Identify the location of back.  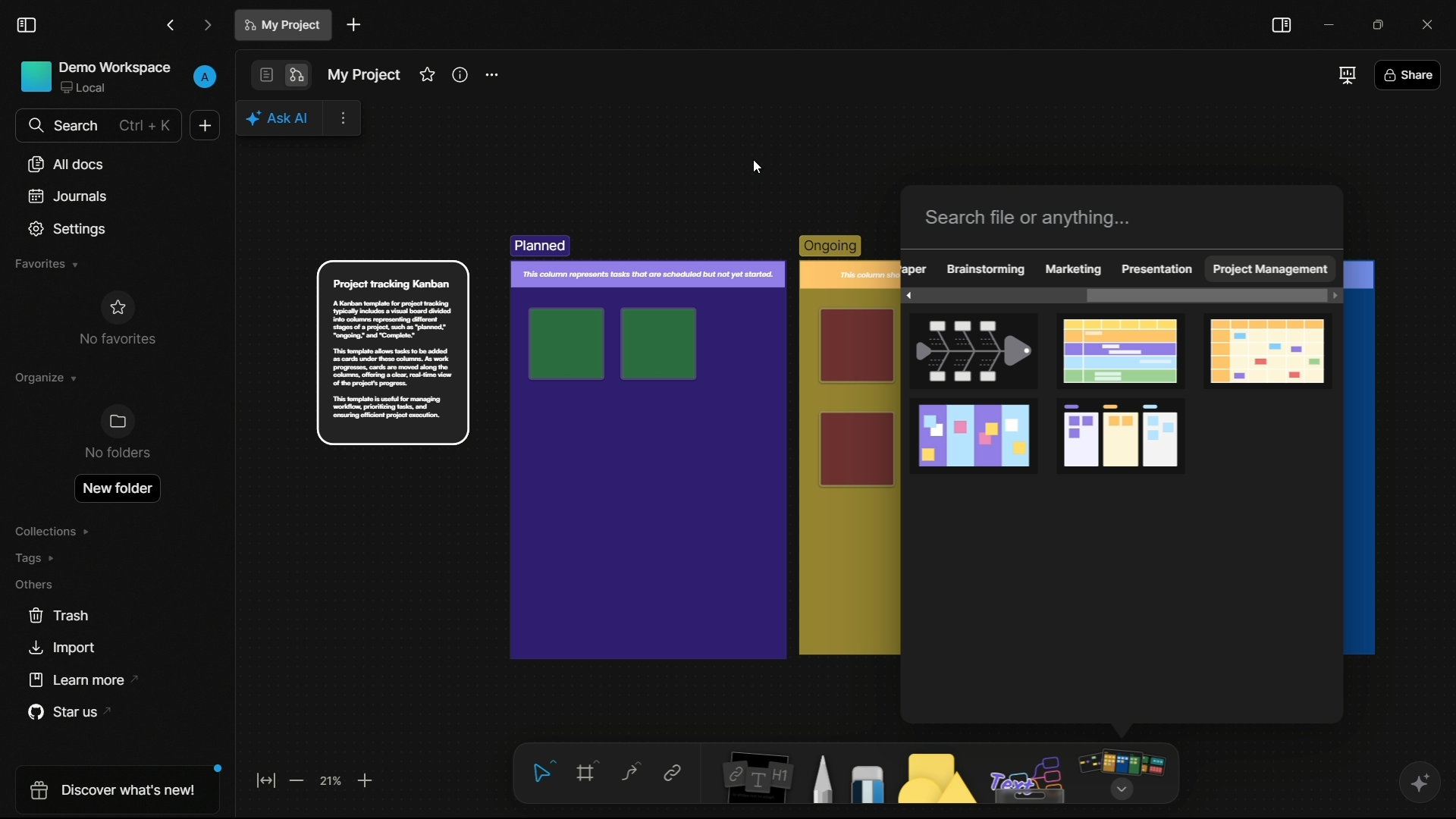
(171, 26).